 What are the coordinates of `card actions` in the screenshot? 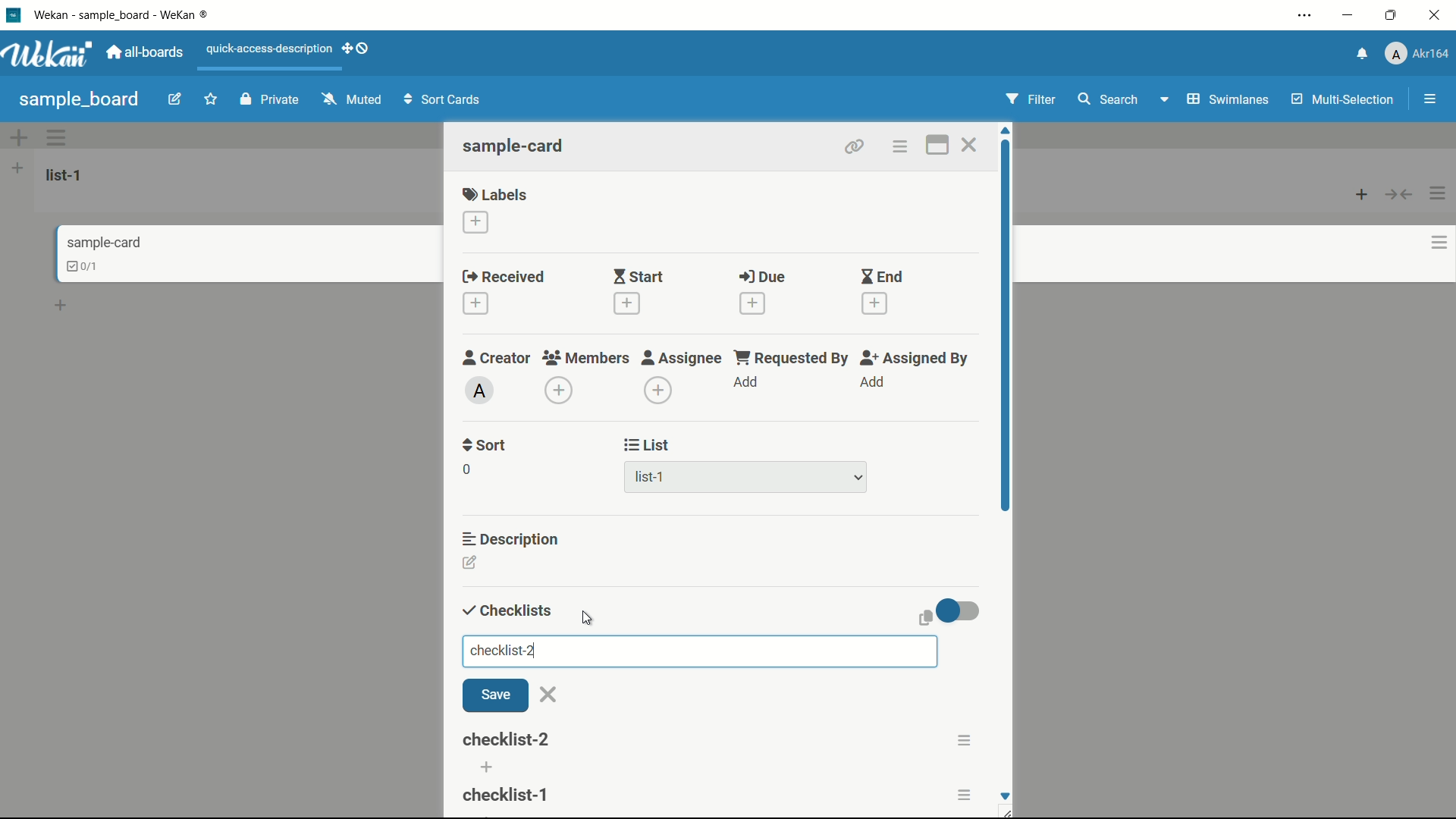 It's located at (1439, 243).